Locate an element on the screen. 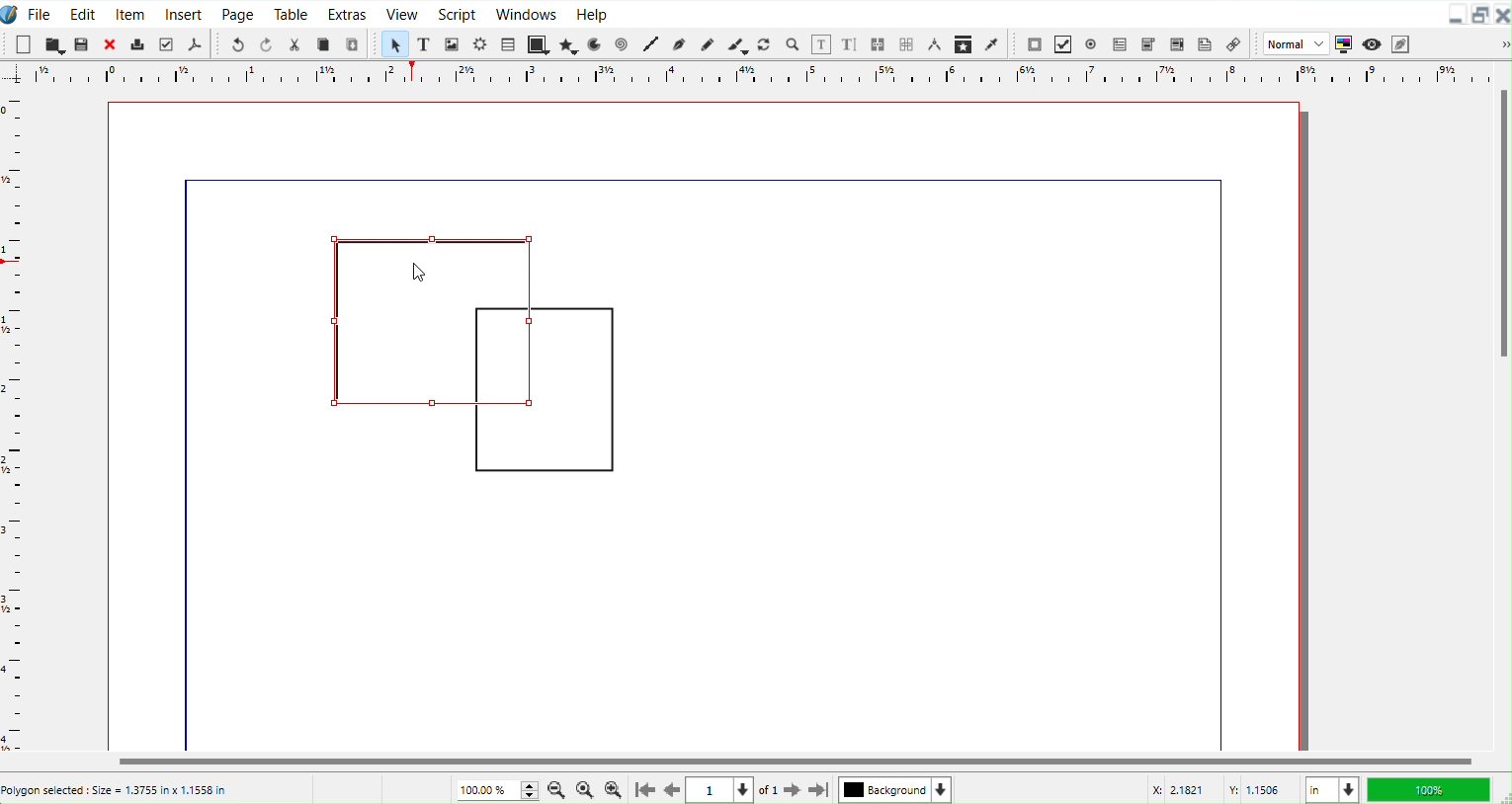 The width and height of the screenshot is (1512, 804). Shape  is located at coordinates (539, 43).